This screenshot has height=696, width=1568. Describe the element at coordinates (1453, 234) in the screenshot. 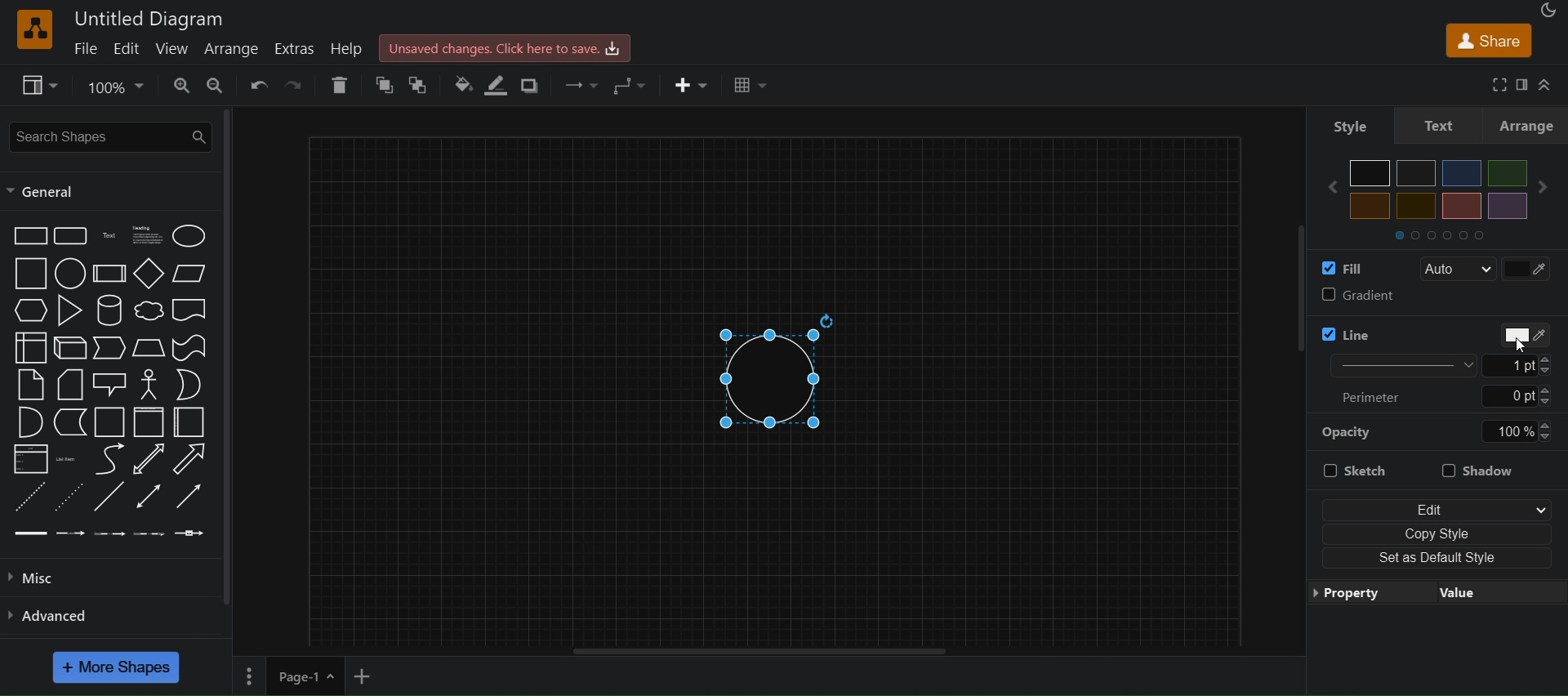

I see `sections` at that location.